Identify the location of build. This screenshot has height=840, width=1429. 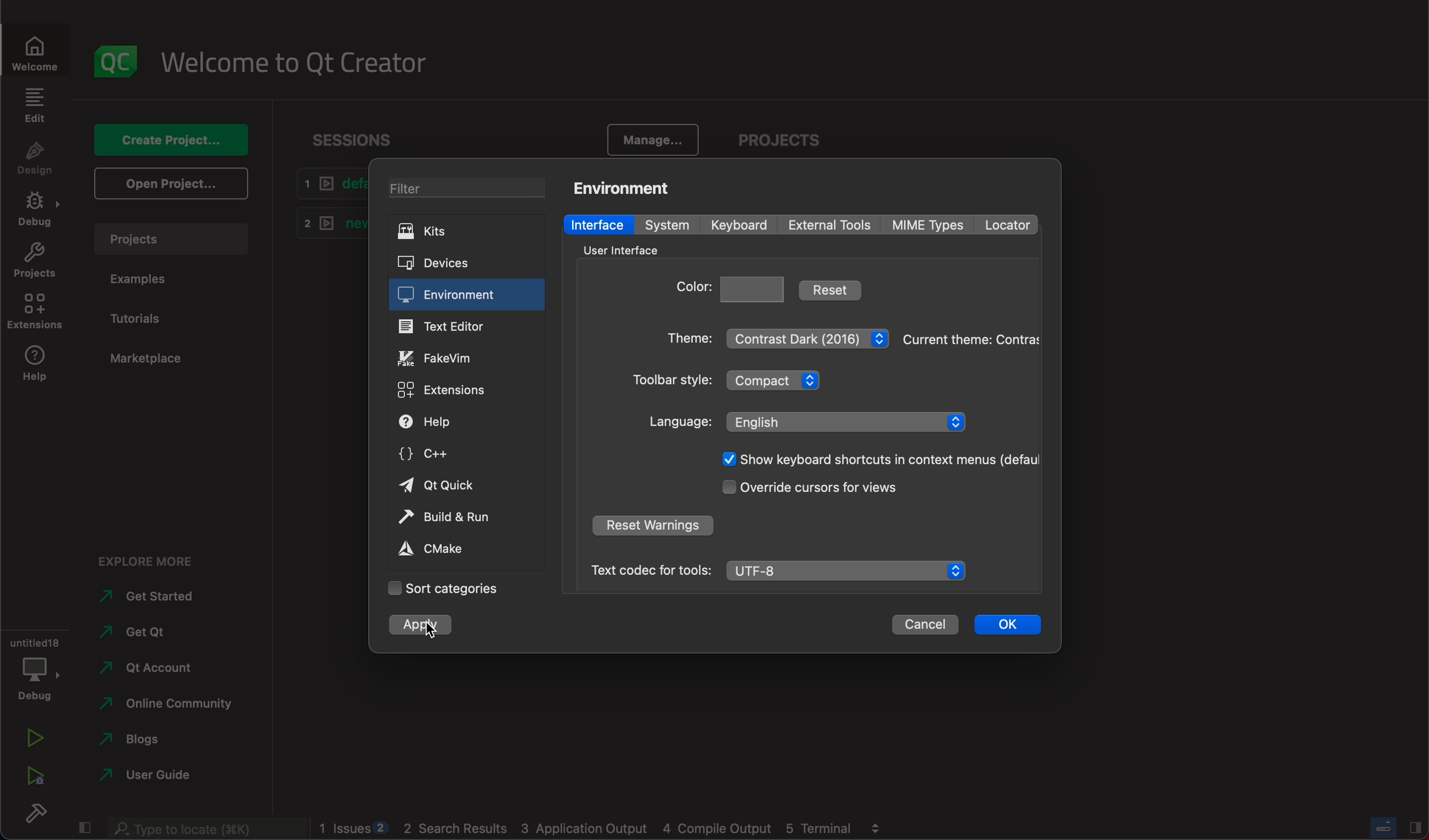
(32, 813).